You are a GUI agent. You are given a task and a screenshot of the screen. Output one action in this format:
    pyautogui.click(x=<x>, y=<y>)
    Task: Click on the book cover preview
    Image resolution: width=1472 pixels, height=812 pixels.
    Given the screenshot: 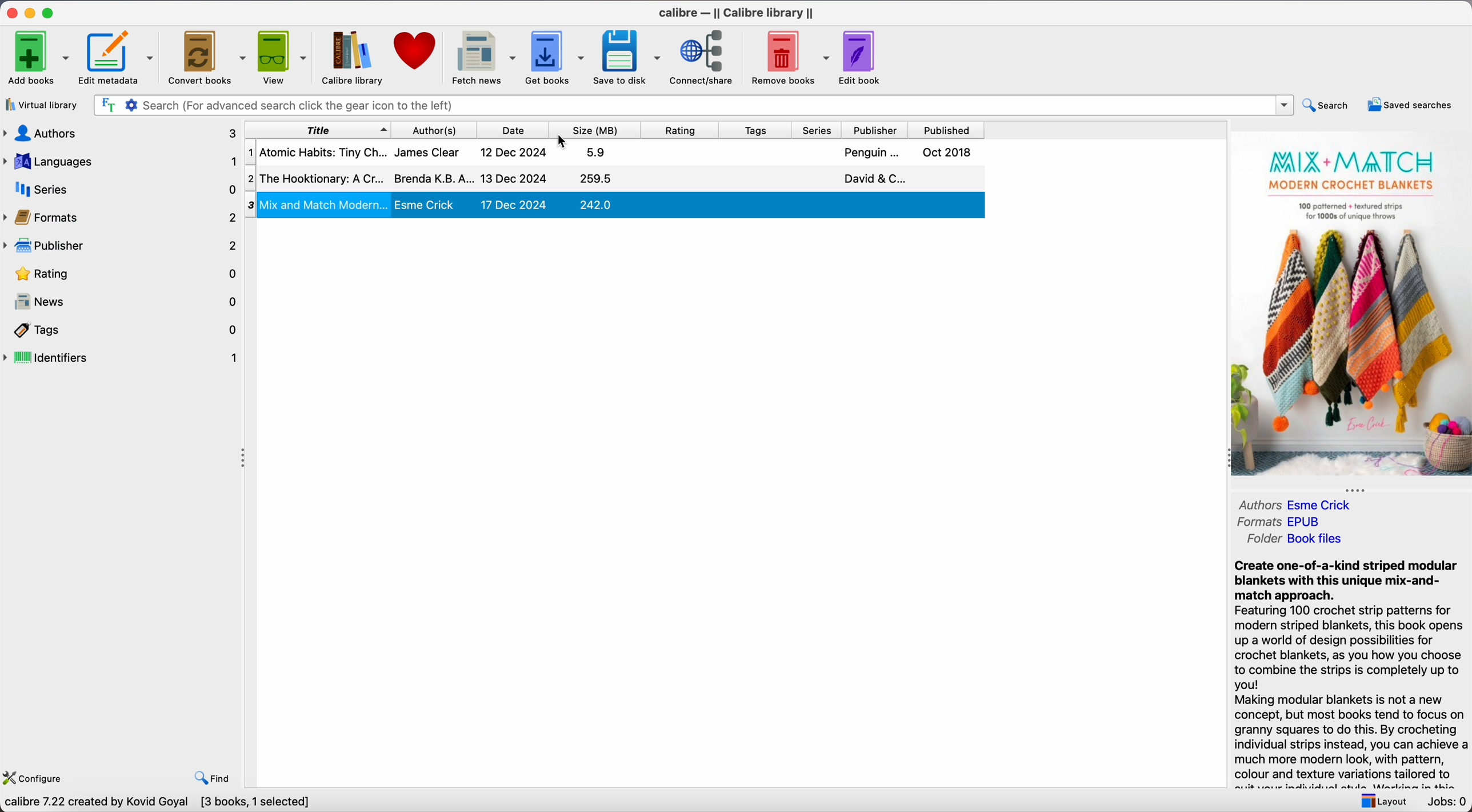 What is the action you would take?
    pyautogui.click(x=1351, y=305)
    